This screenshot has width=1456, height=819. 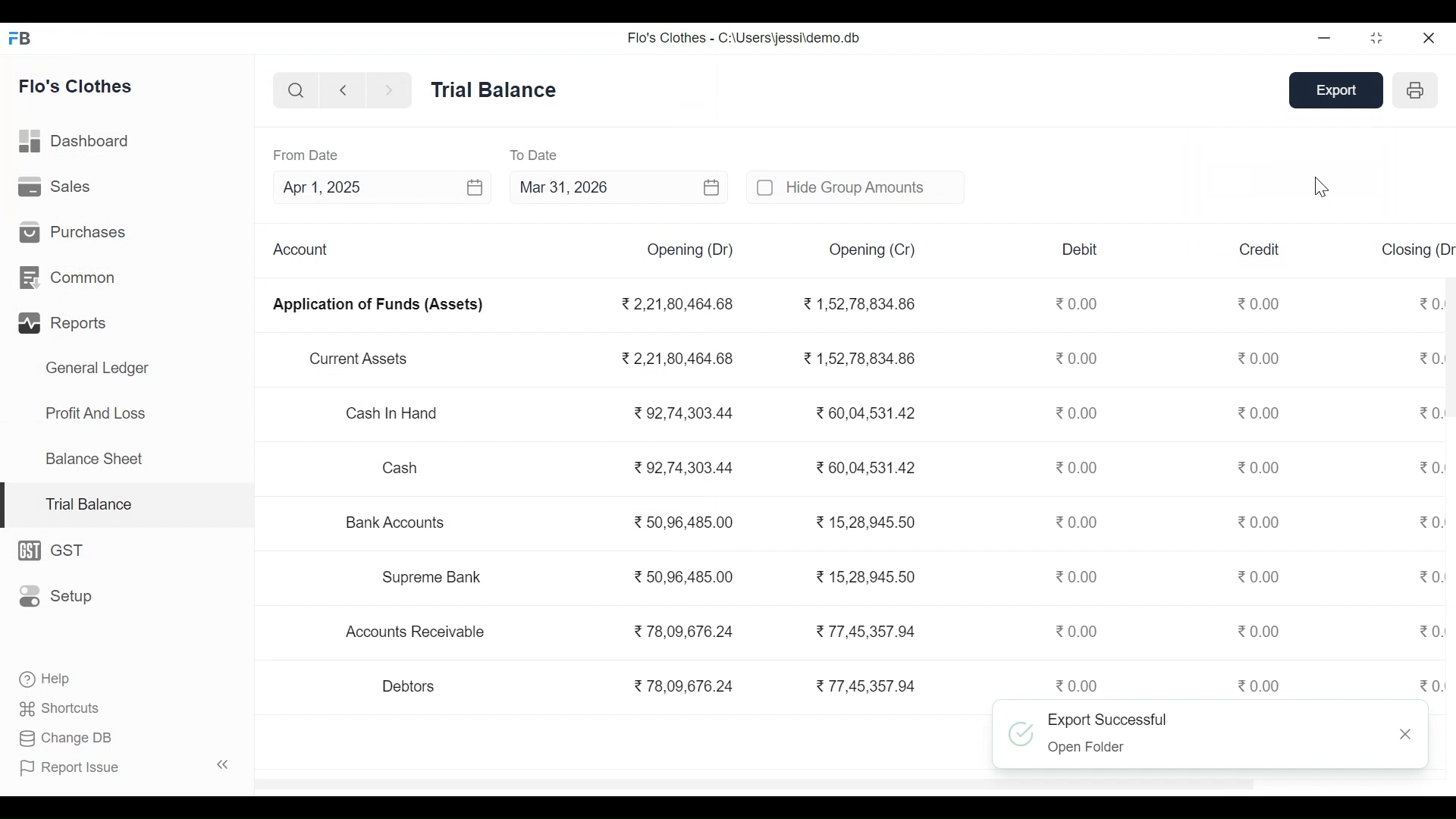 What do you see at coordinates (1323, 189) in the screenshot?
I see `cursor` at bounding box center [1323, 189].